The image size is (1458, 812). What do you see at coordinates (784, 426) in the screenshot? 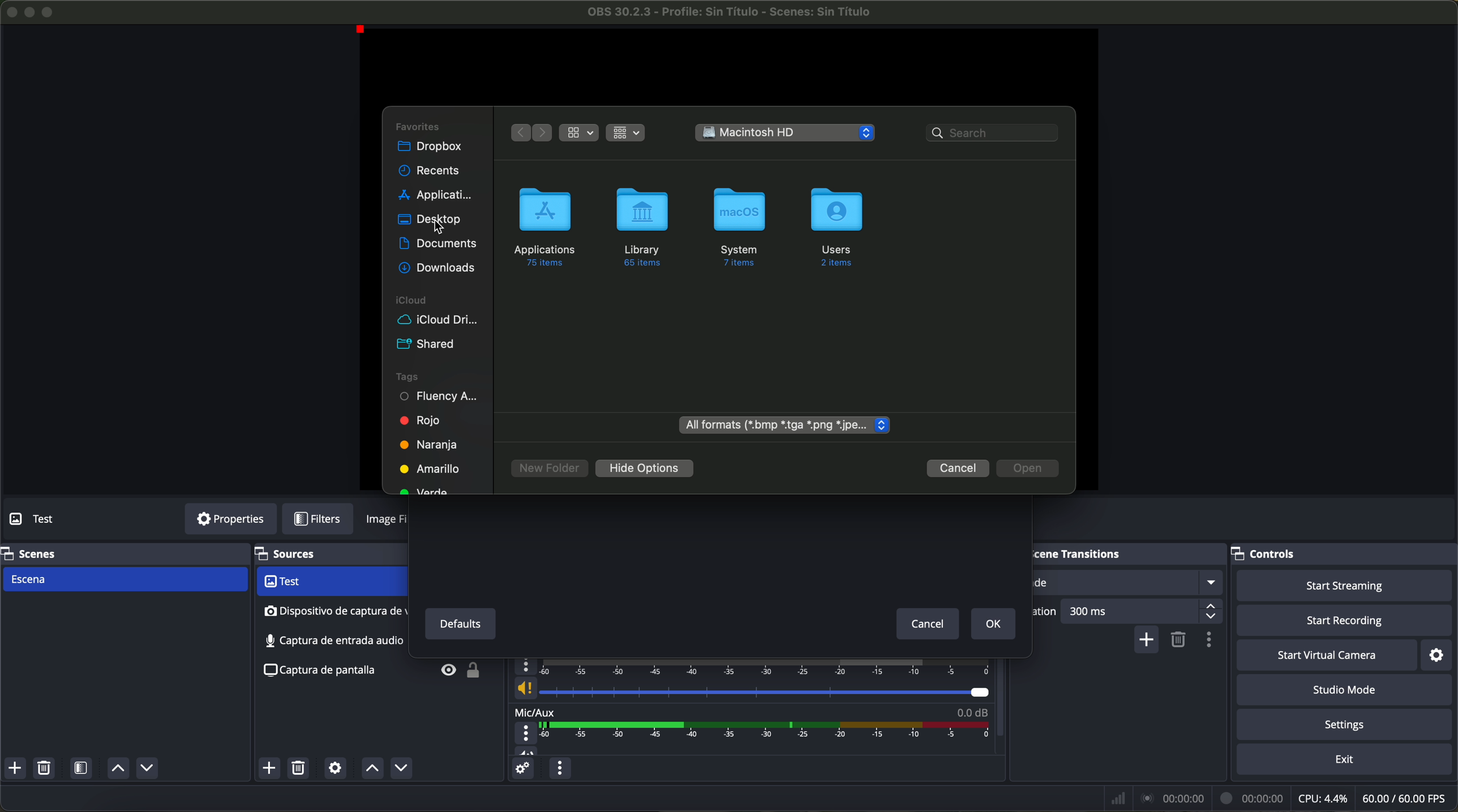
I see `all formats` at bounding box center [784, 426].